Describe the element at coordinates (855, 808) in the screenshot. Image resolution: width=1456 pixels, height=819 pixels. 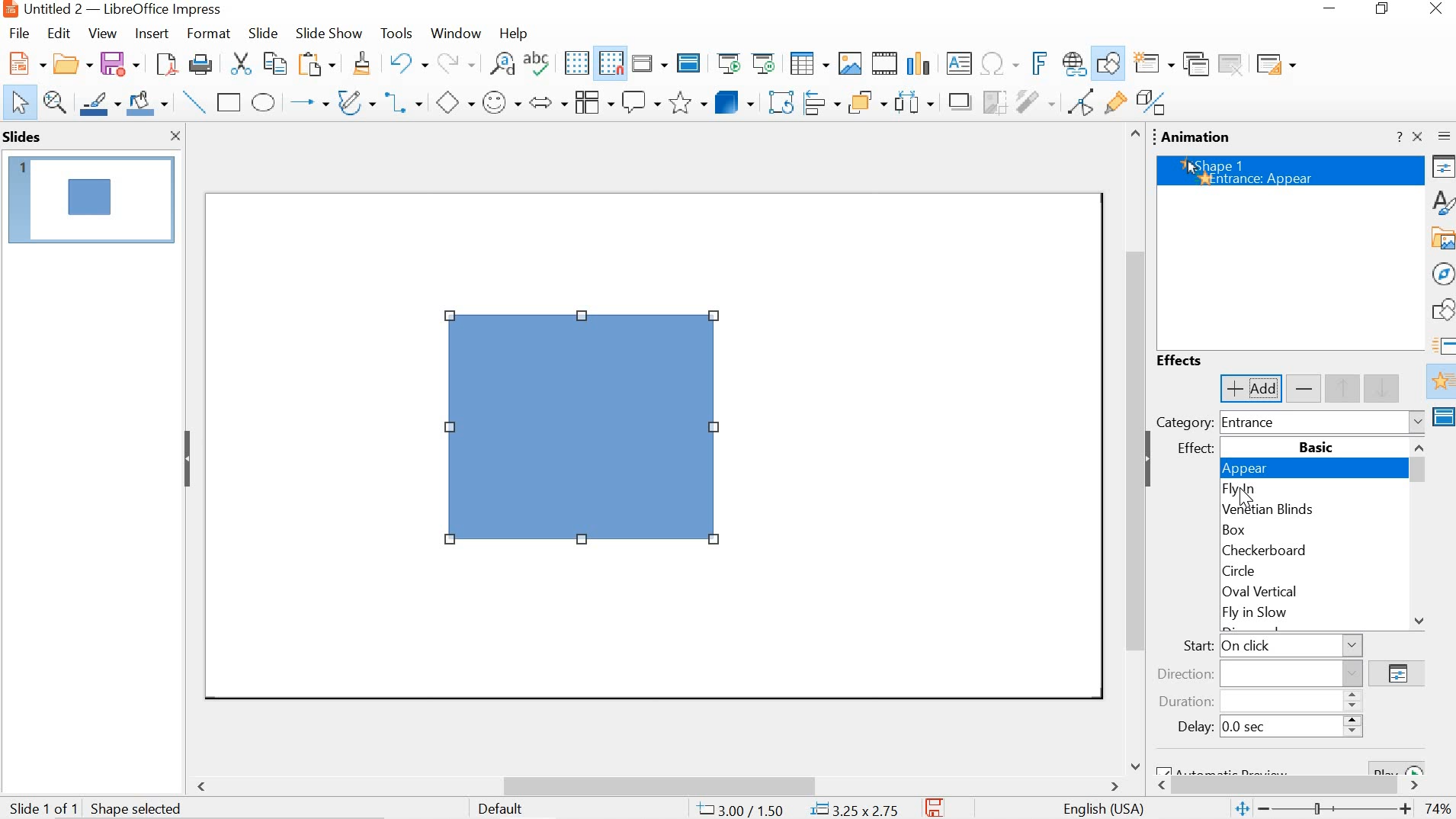
I see `3.25x2.75` at that location.